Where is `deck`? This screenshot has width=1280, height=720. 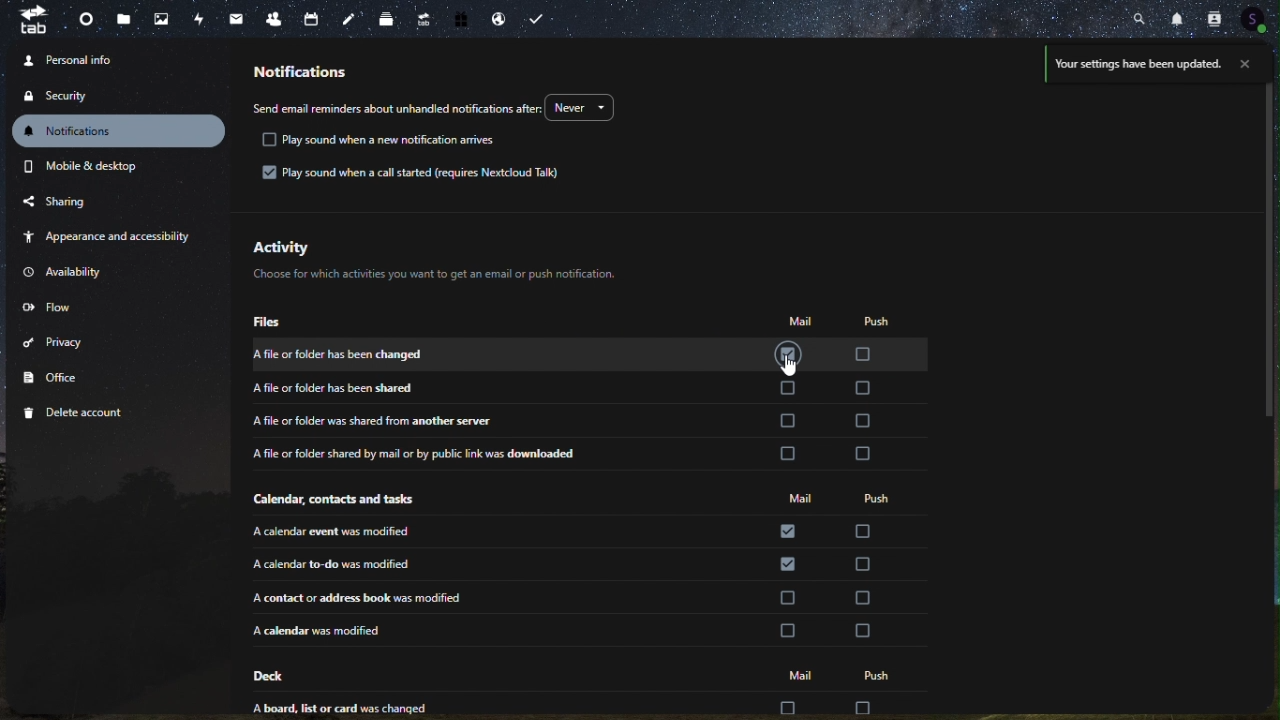 deck is located at coordinates (388, 18).